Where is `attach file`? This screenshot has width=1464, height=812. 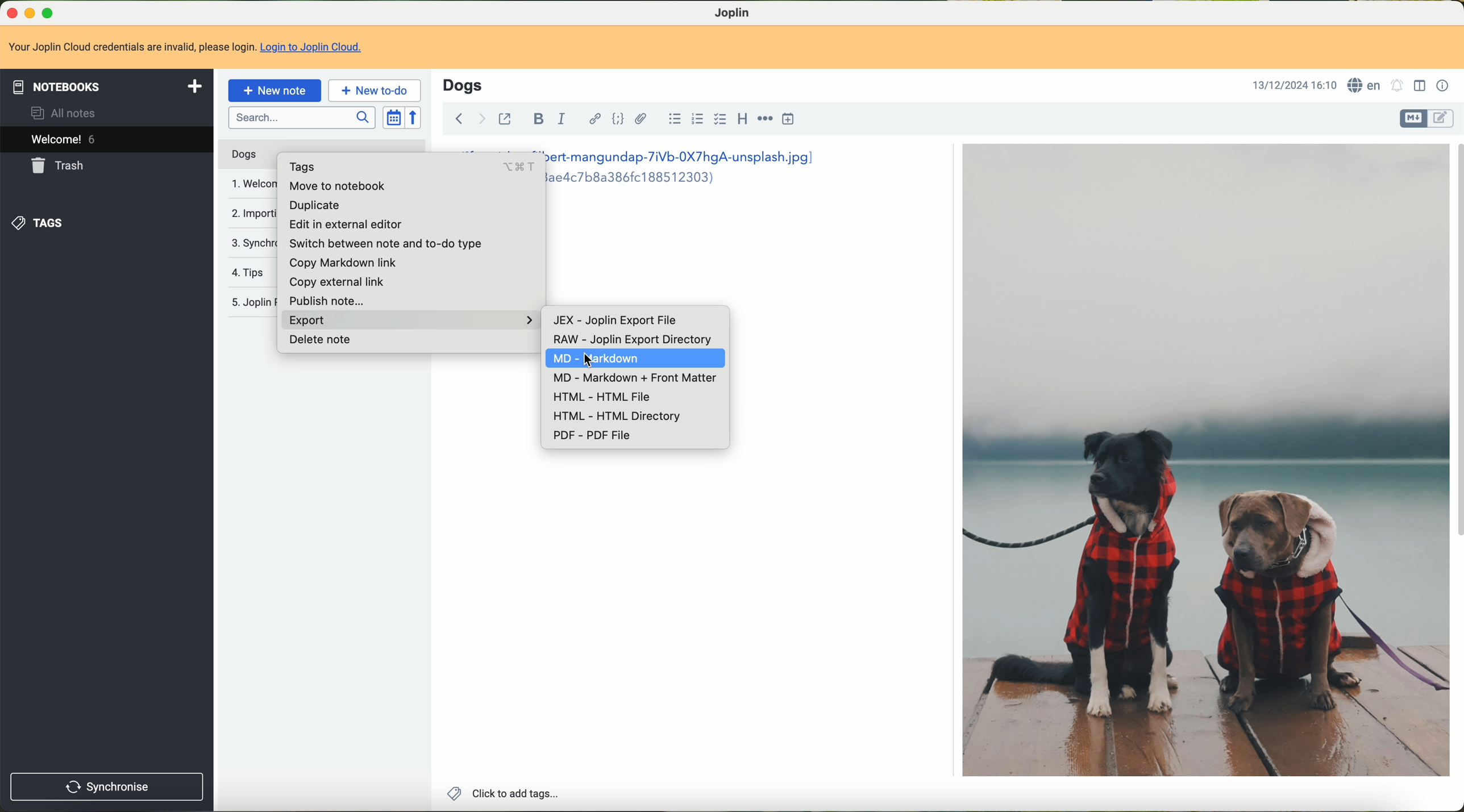
attach file is located at coordinates (640, 119).